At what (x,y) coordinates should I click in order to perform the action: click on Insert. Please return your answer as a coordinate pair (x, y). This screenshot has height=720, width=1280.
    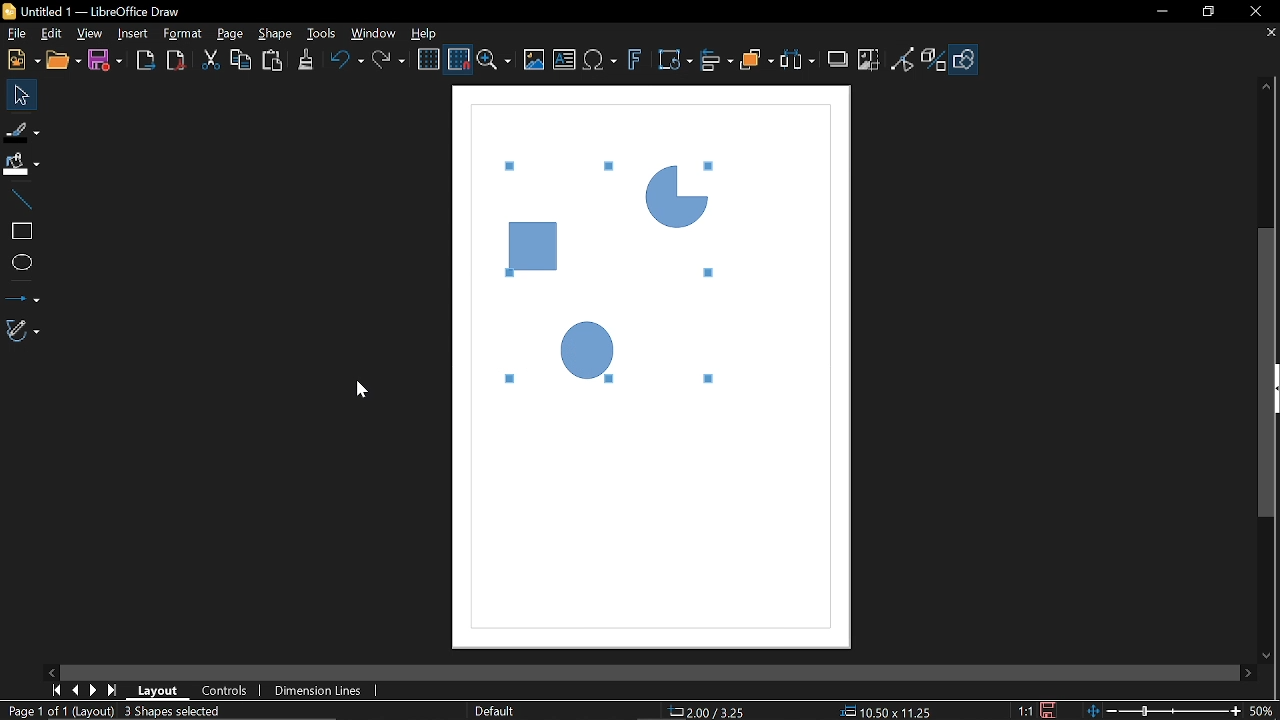
    Looking at the image, I should click on (131, 35).